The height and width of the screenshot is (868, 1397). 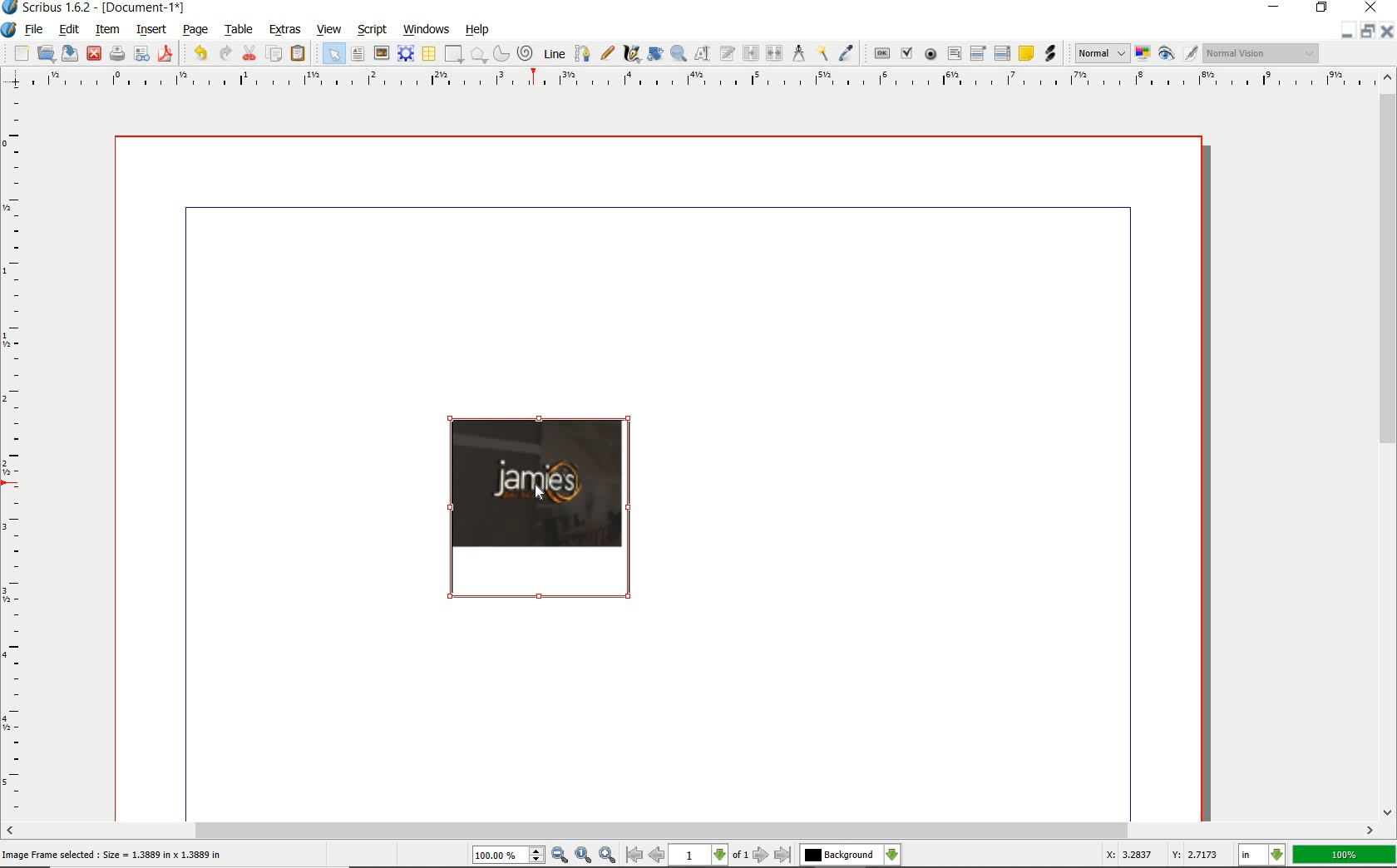 What do you see at coordinates (690, 830) in the screenshot?
I see `Scroll bar` at bounding box center [690, 830].